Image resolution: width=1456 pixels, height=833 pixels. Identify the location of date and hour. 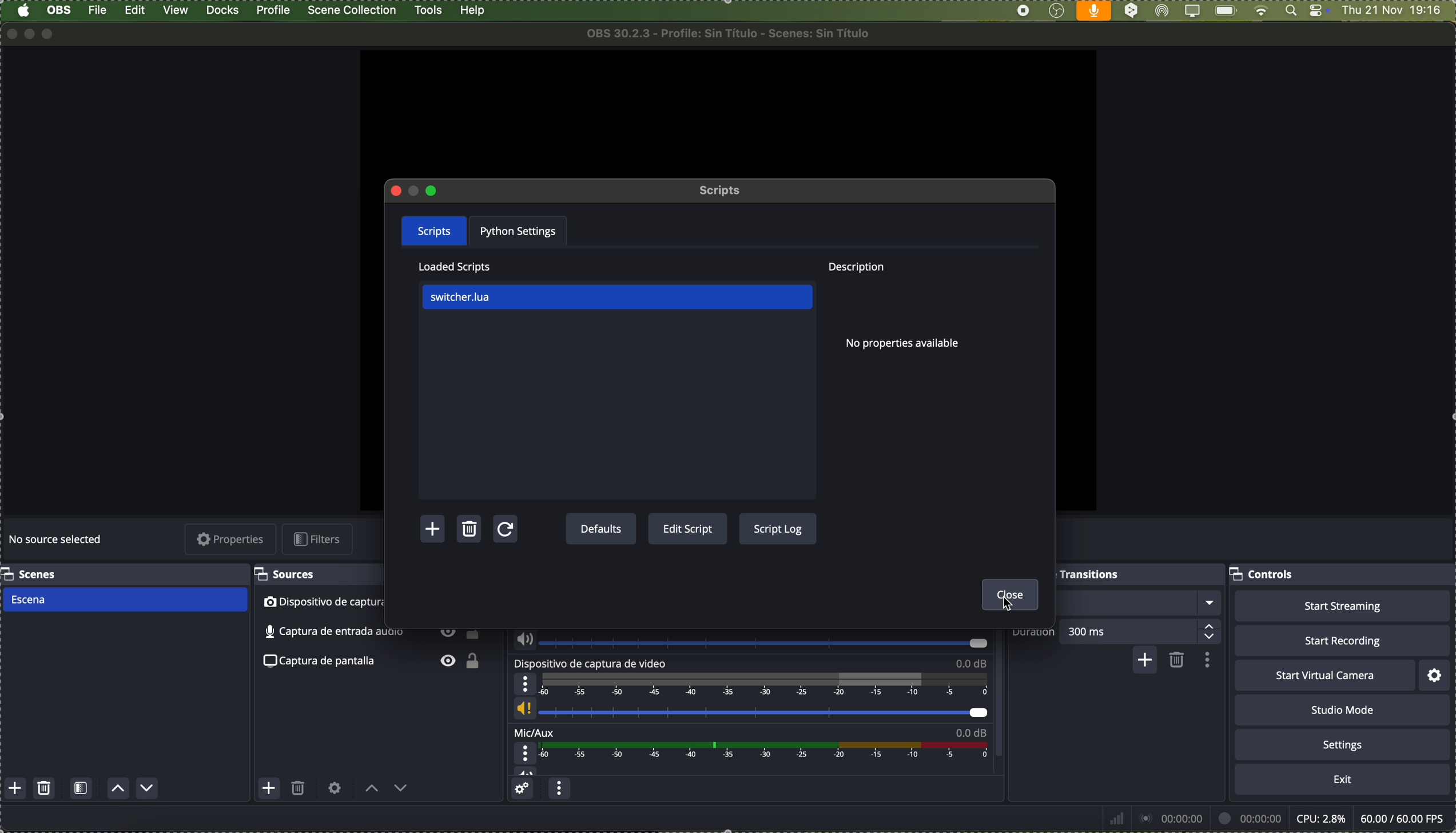
(1398, 11).